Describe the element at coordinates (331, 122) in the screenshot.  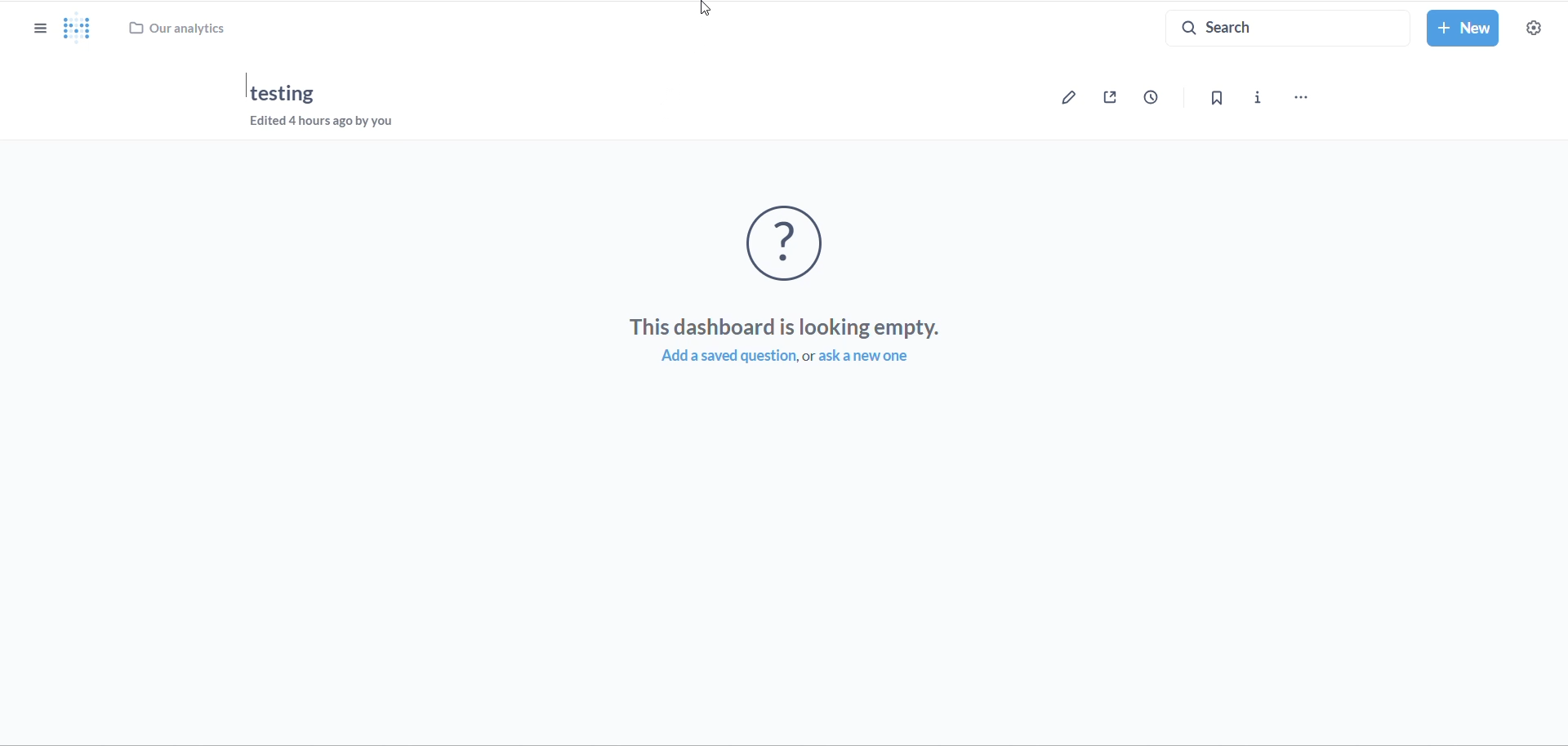
I see `edited 4 hours ago by you` at that location.